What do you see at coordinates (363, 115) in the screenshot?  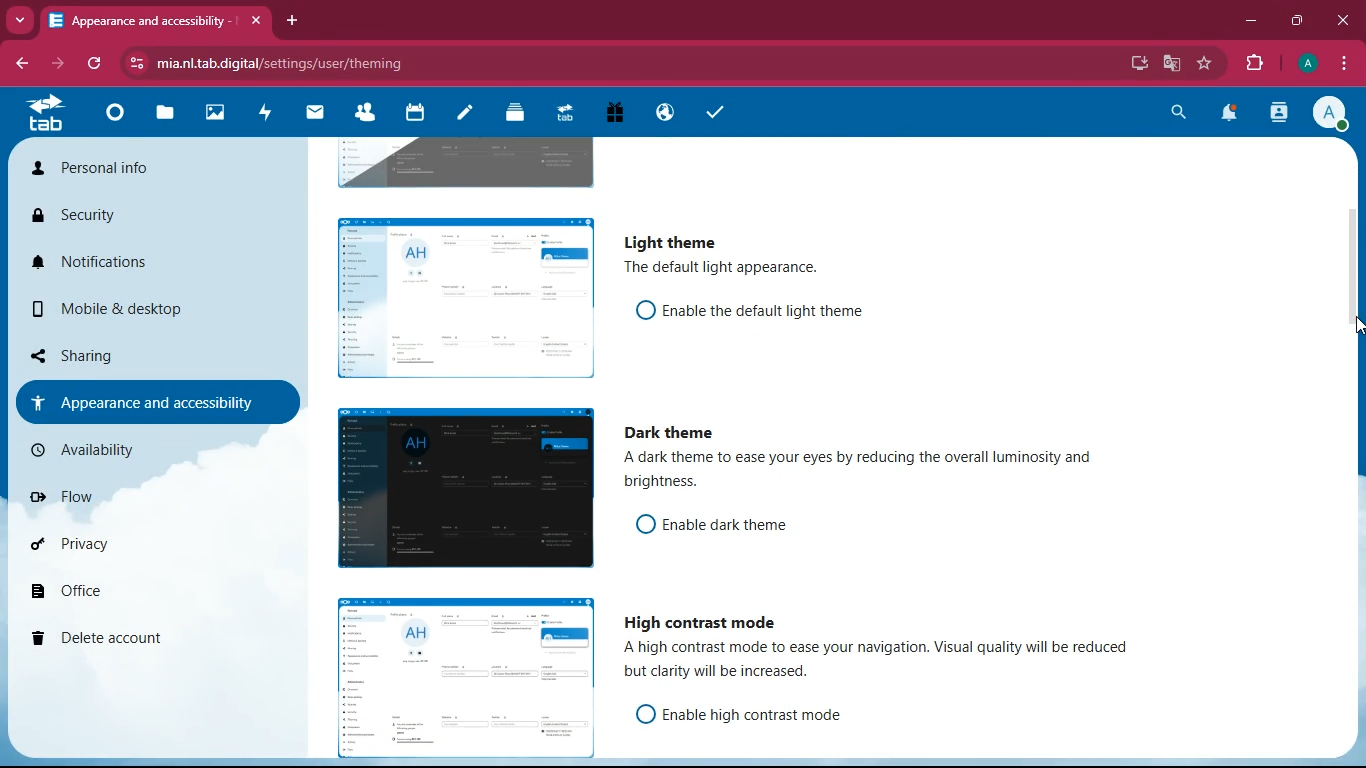 I see `friends` at bounding box center [363, 115].